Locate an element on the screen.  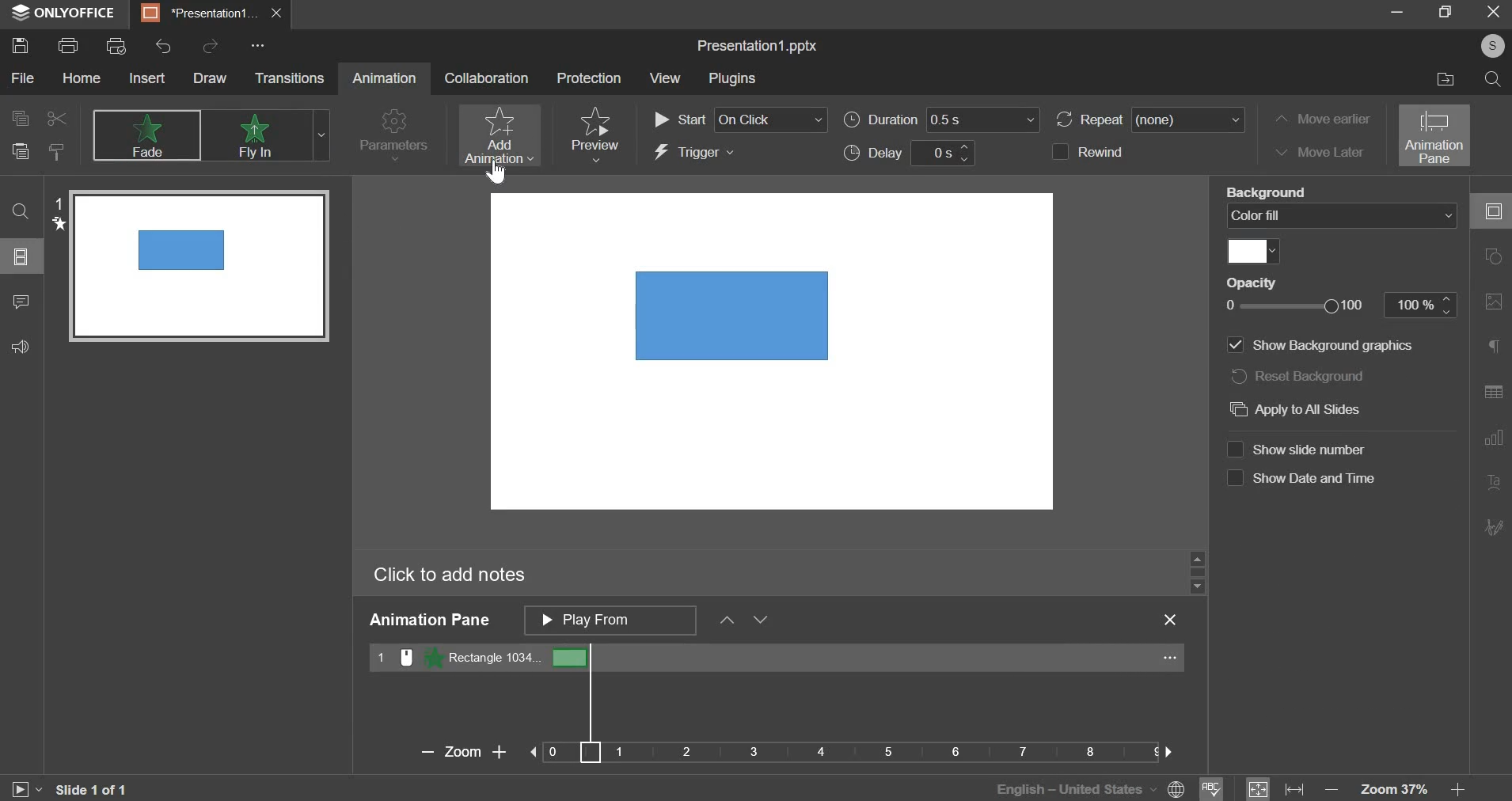
color fill is located at coordinates (1341, 216).